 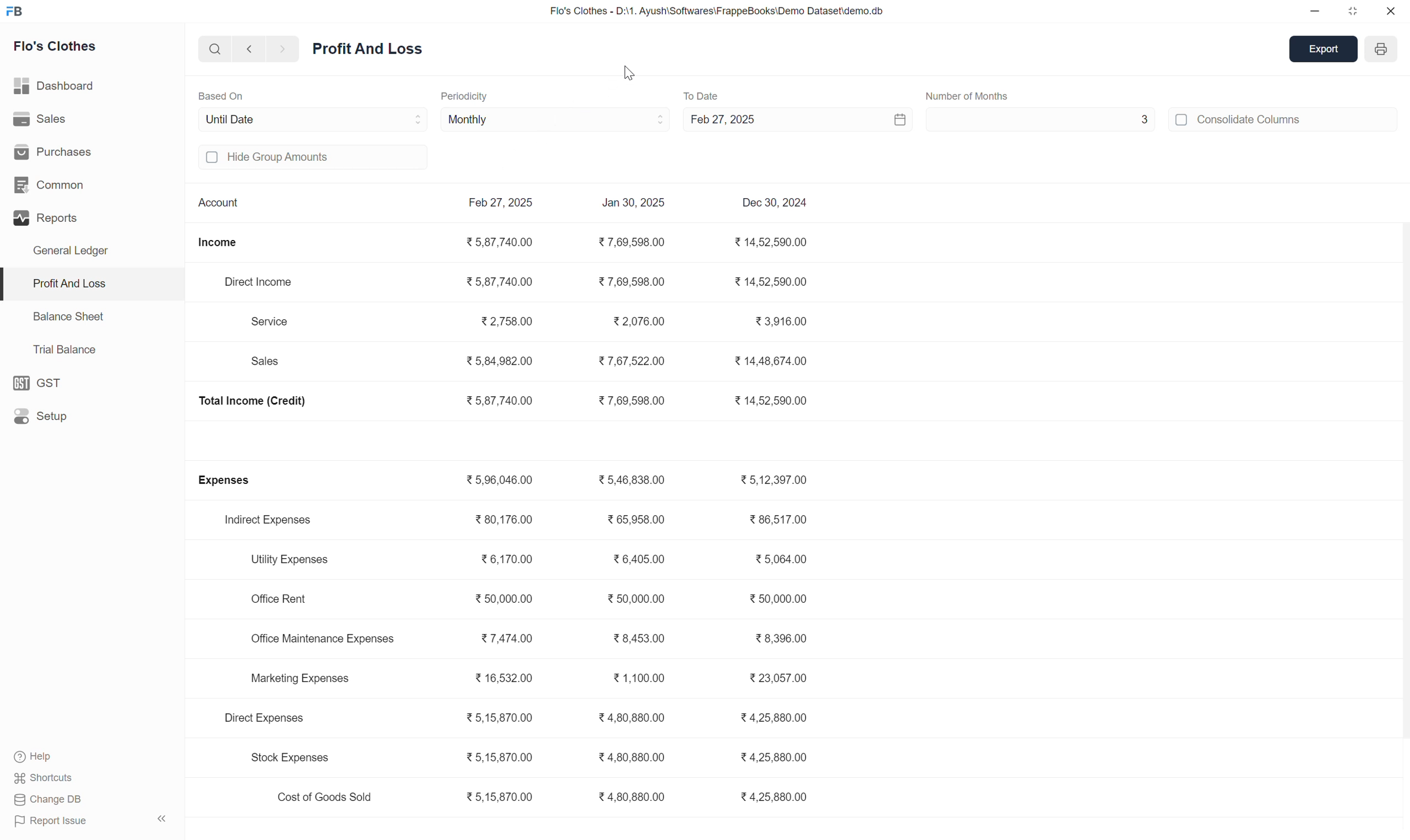 I want to click on Periodicity, so click(x=477, y=96).